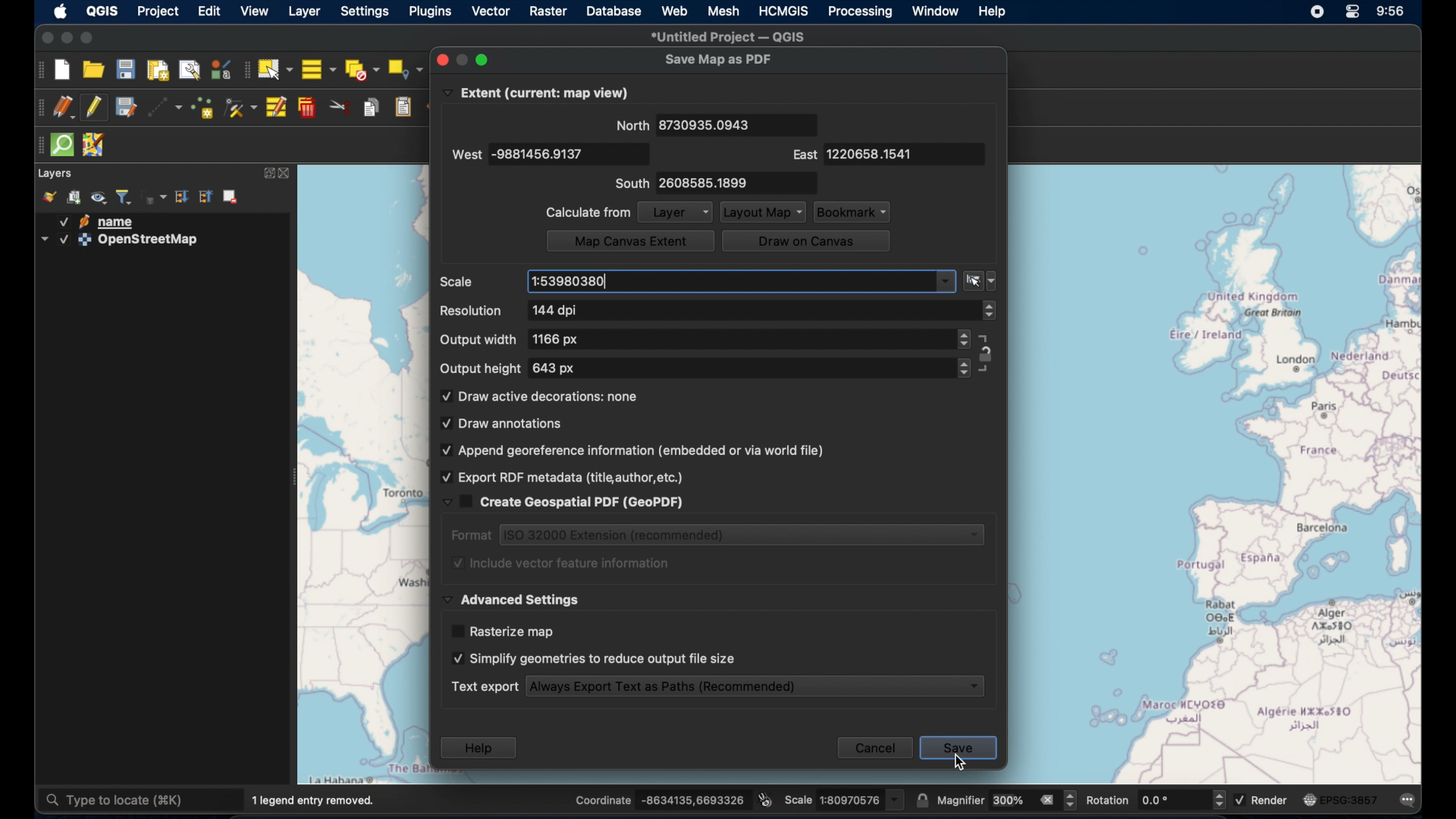 The image size is (1456, 819). I want to click on type to locate, so click(139, 799).